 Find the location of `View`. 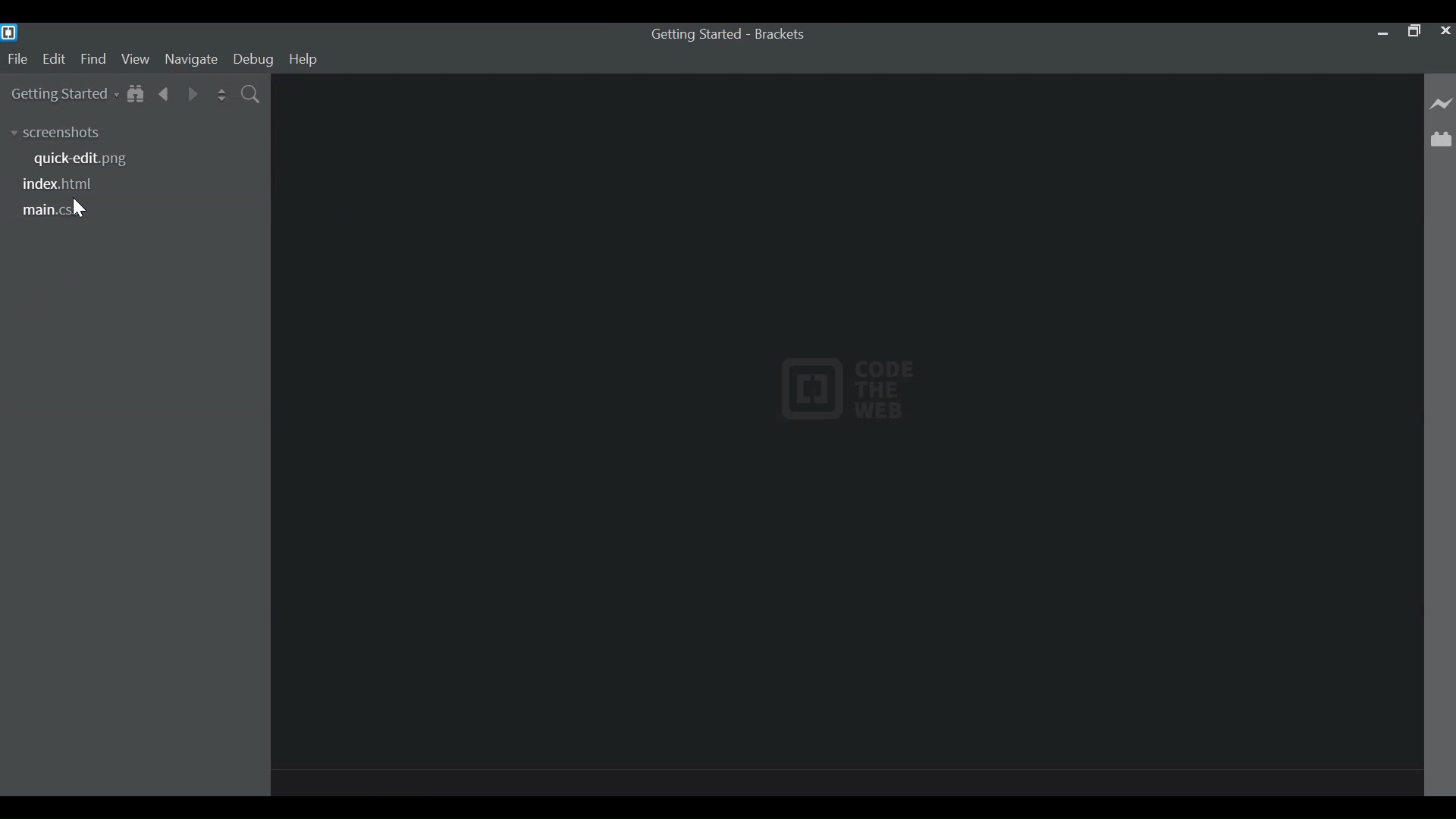

View is located at coordinates (136, 59).